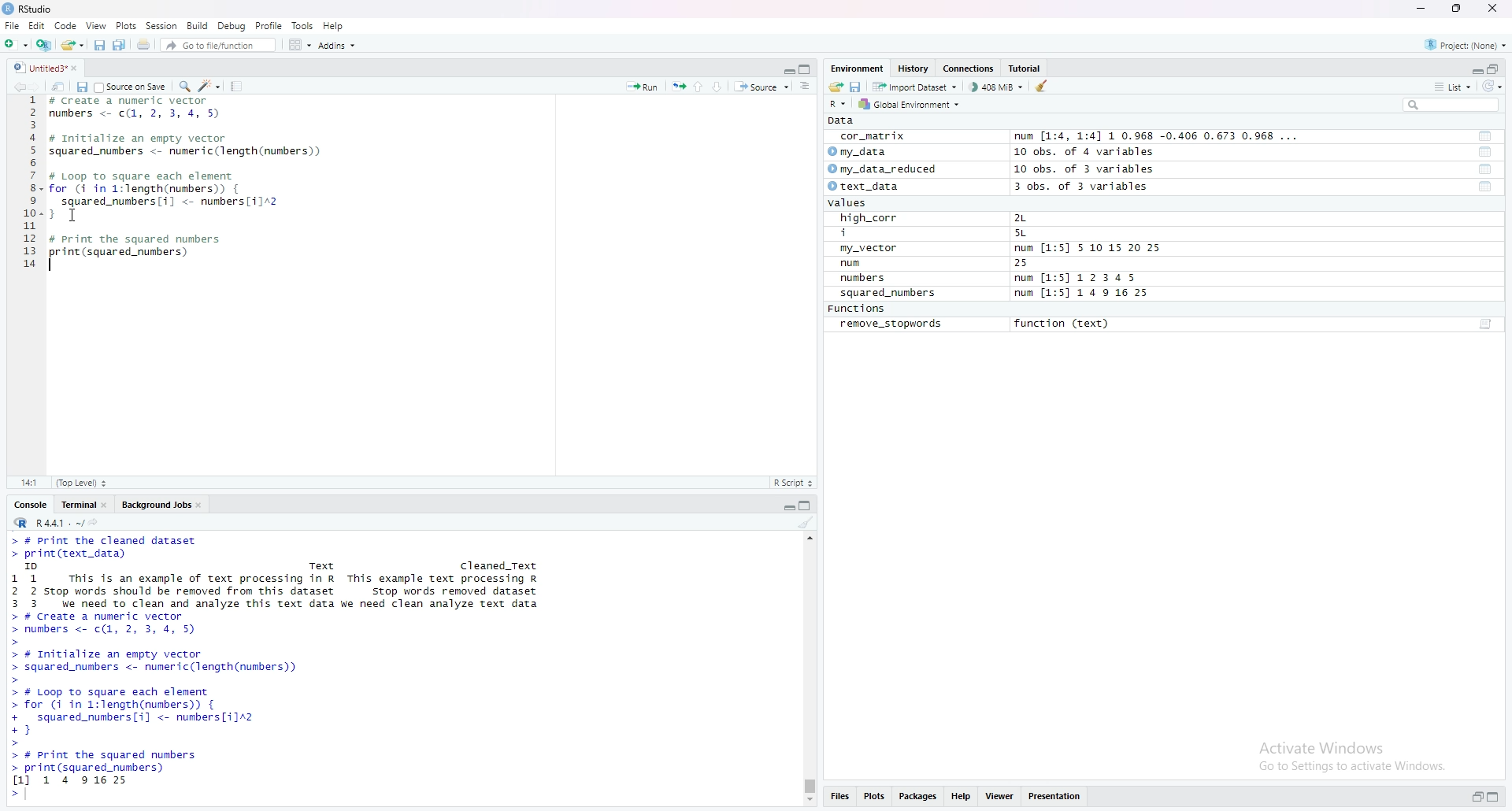 The width and height of the screenshot is (1512, 811). What do you see at coordinates (836, 85) in the screenshot?
I see `Load Workspace` at bounding box center [836, 85].